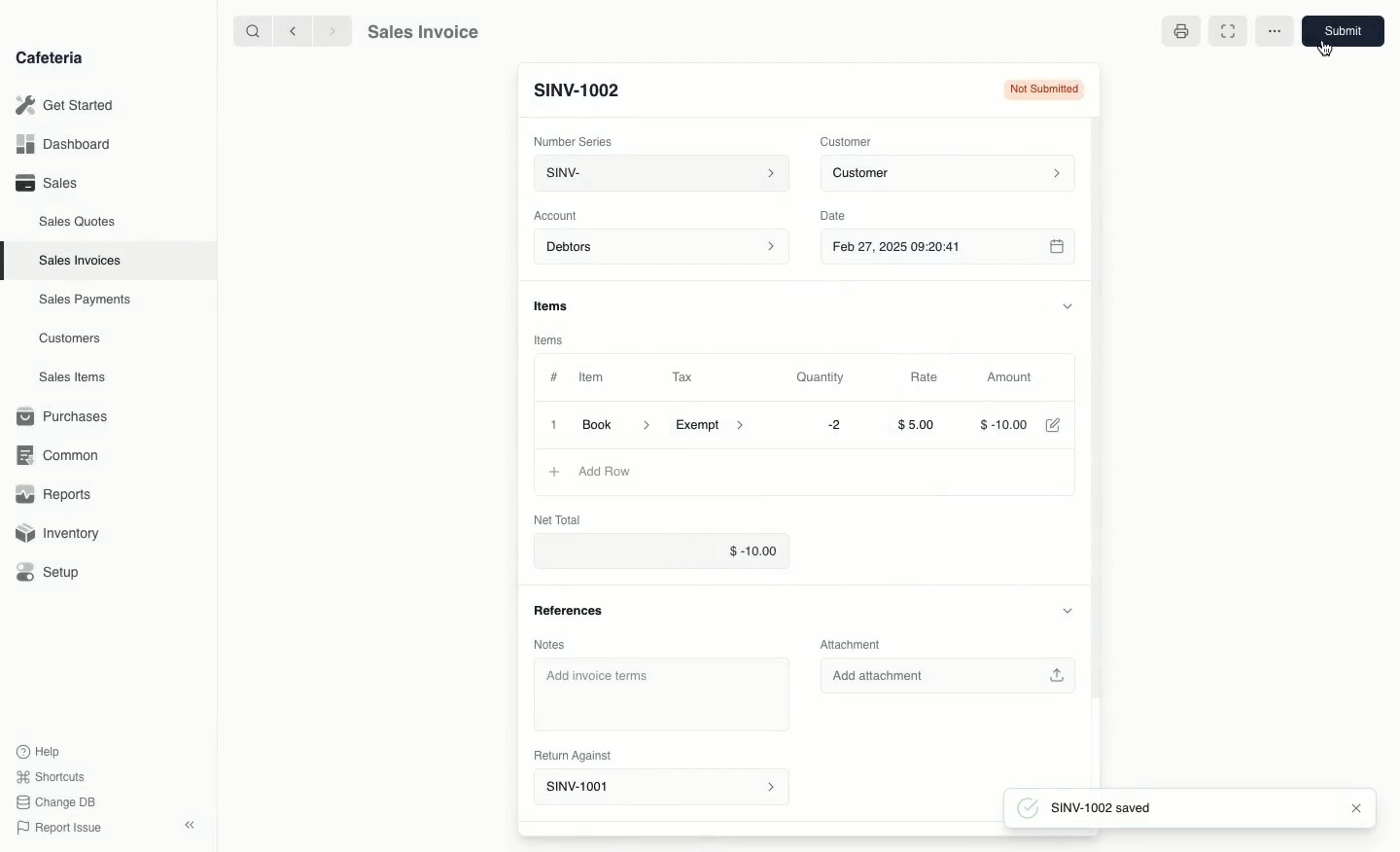 This screenshot has height=852, width=1400. I want to click on Return Against, so click(570, 755).